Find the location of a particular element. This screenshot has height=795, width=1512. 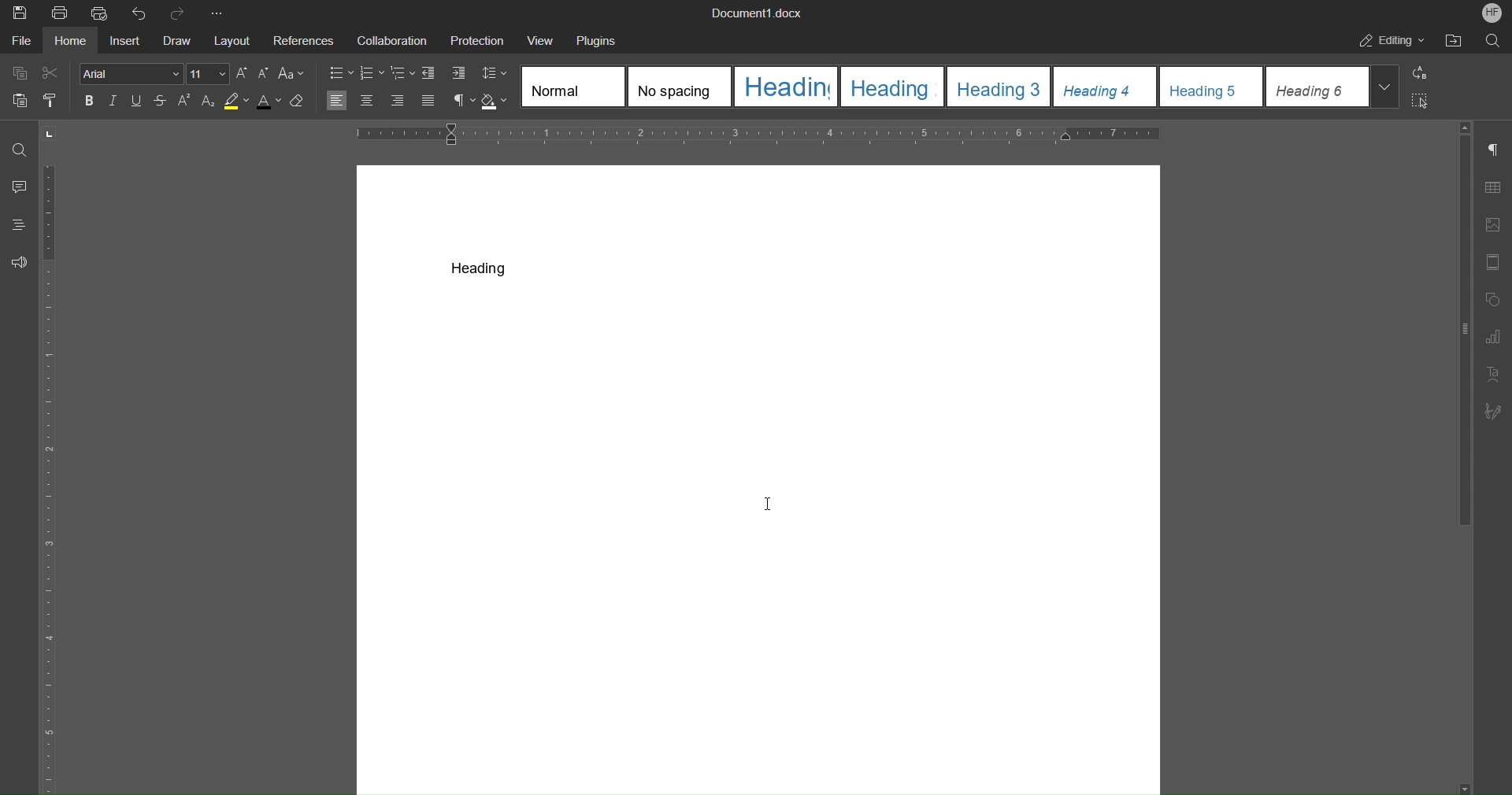

Erase Style is located at coordinates (301, 104).